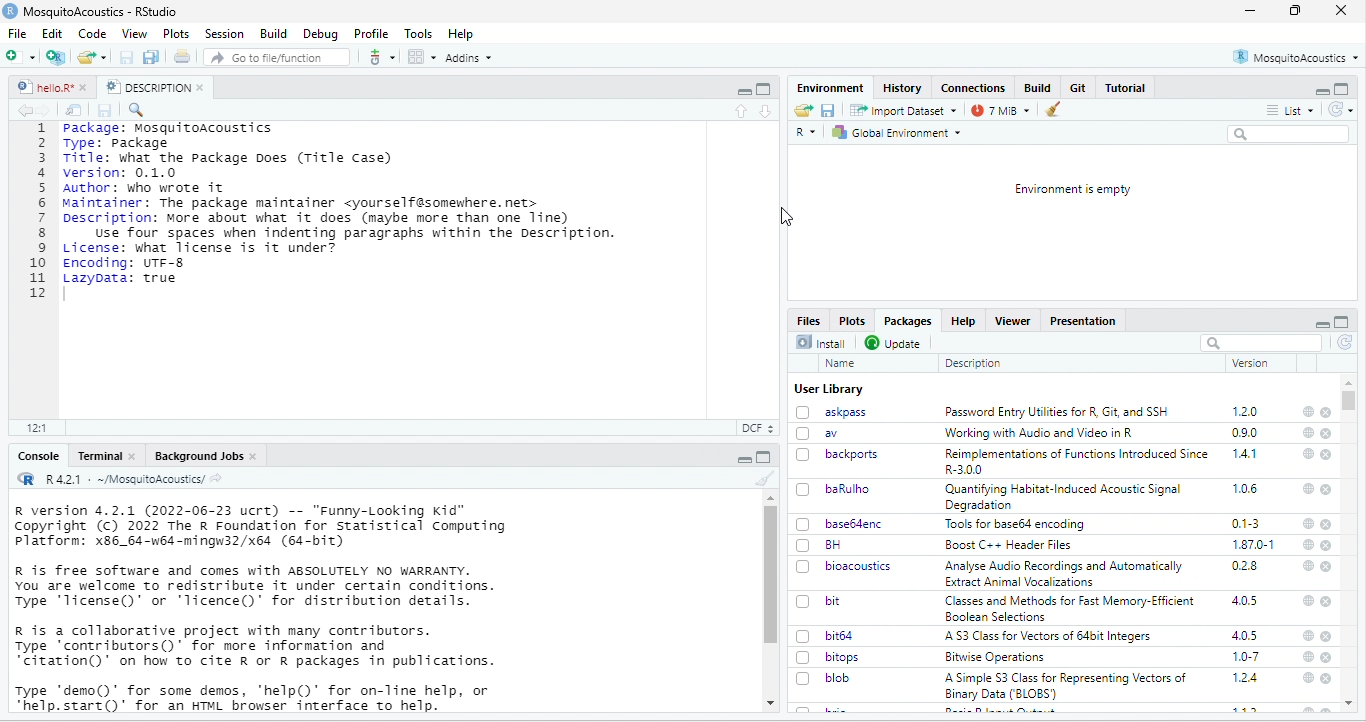  Describe the element at coordinates (1246, 454) in the screenshot. I see `1.4.1` at that location.